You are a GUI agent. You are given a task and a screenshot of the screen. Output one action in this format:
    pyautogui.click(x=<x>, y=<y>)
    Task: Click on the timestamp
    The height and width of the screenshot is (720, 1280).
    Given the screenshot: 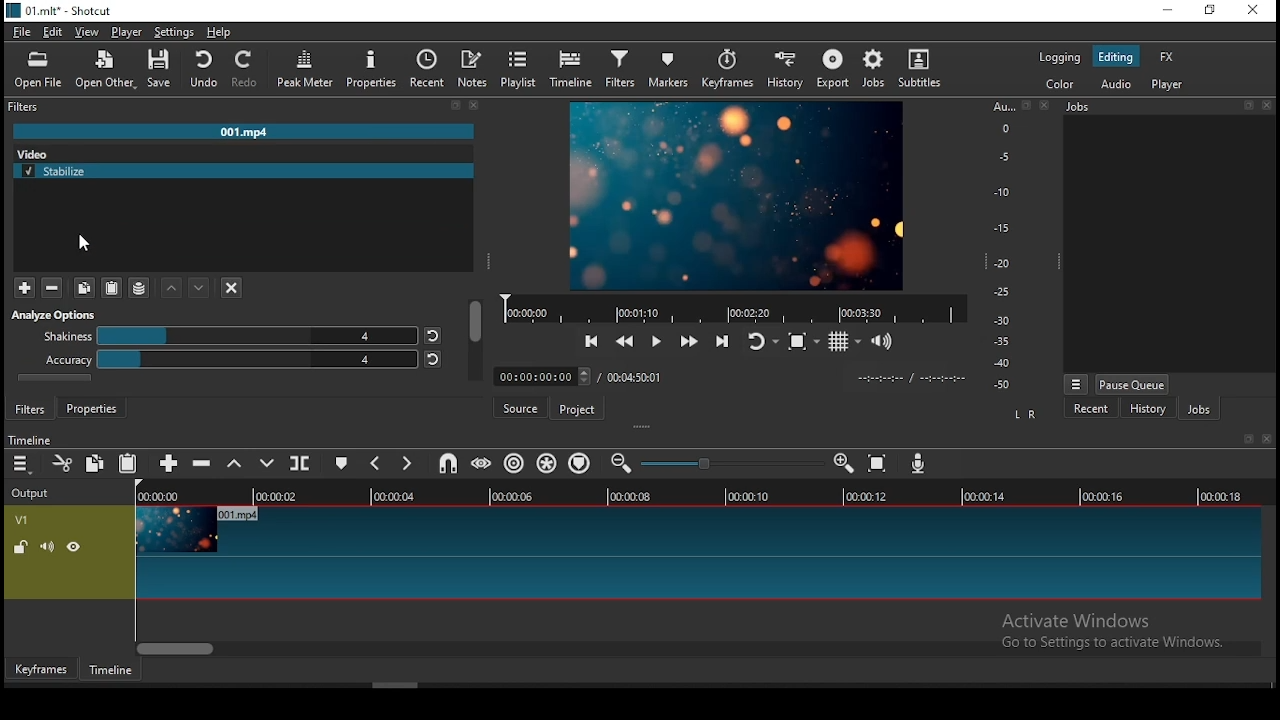 What is the action you would take?
    pyautogui.click(x=581, y=378)
    